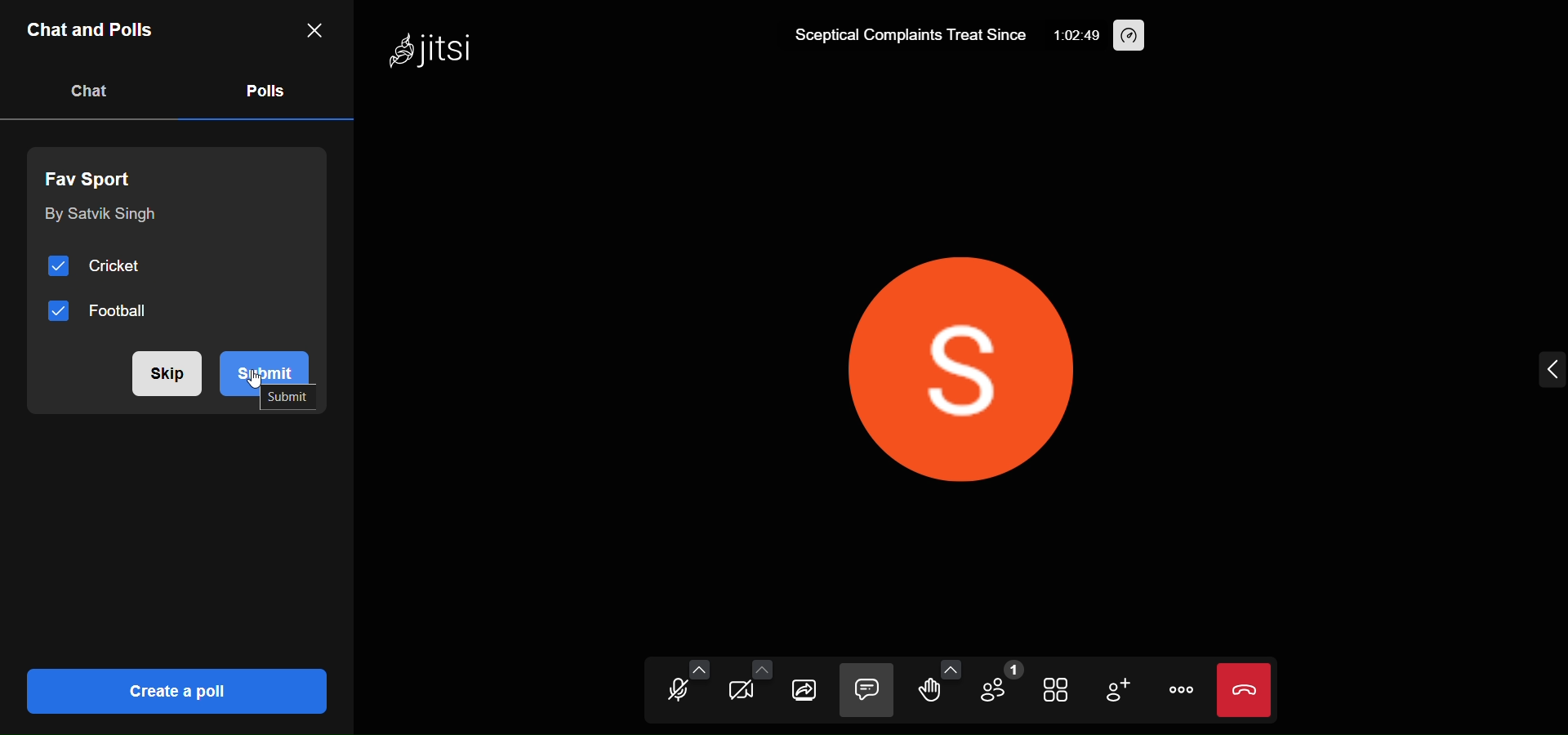 The image size is (1568, 735). I want to click on more audio option, so click(699, 669).